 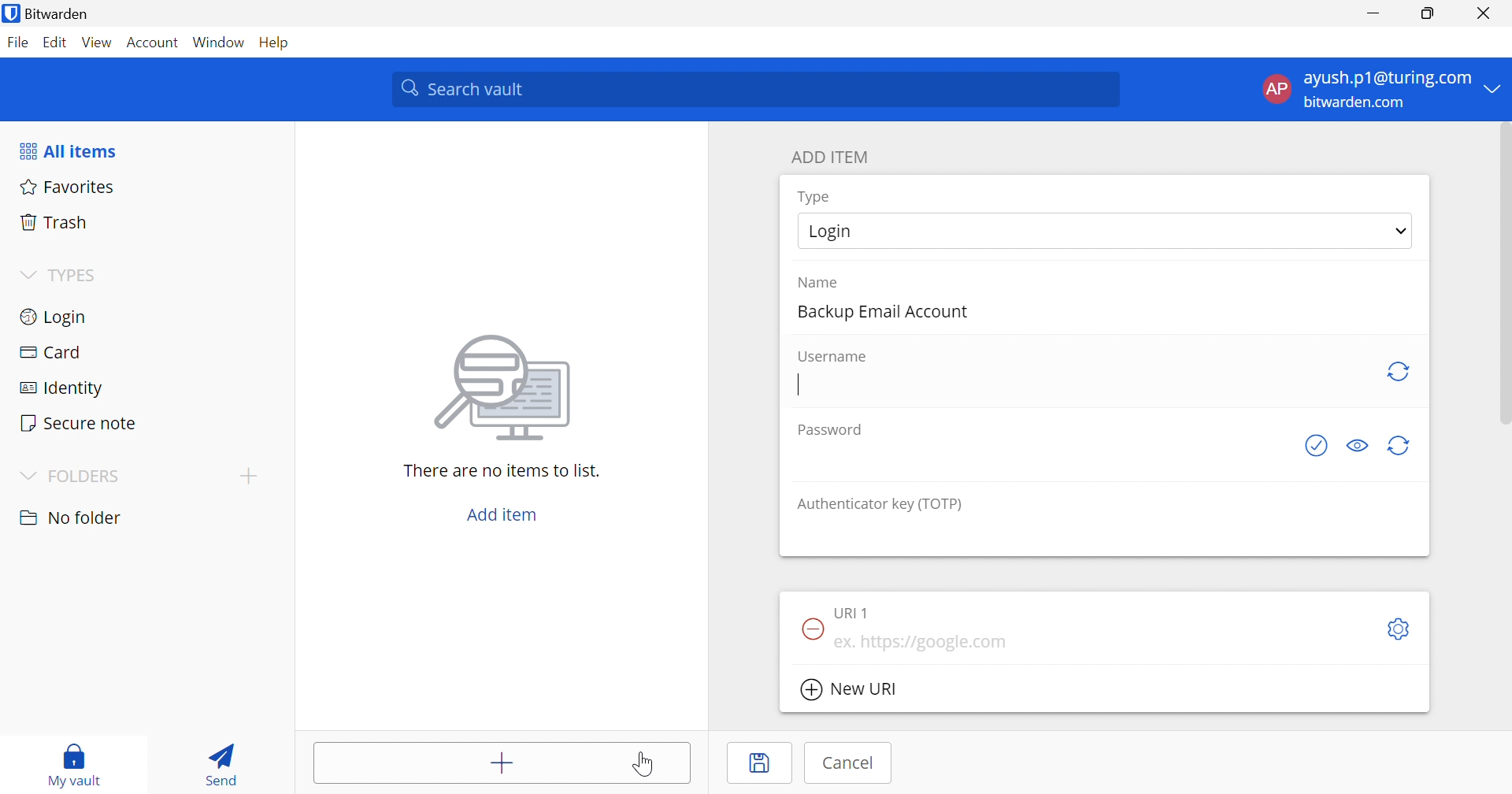 I want to click on Identity, so click(x=56, y=390).